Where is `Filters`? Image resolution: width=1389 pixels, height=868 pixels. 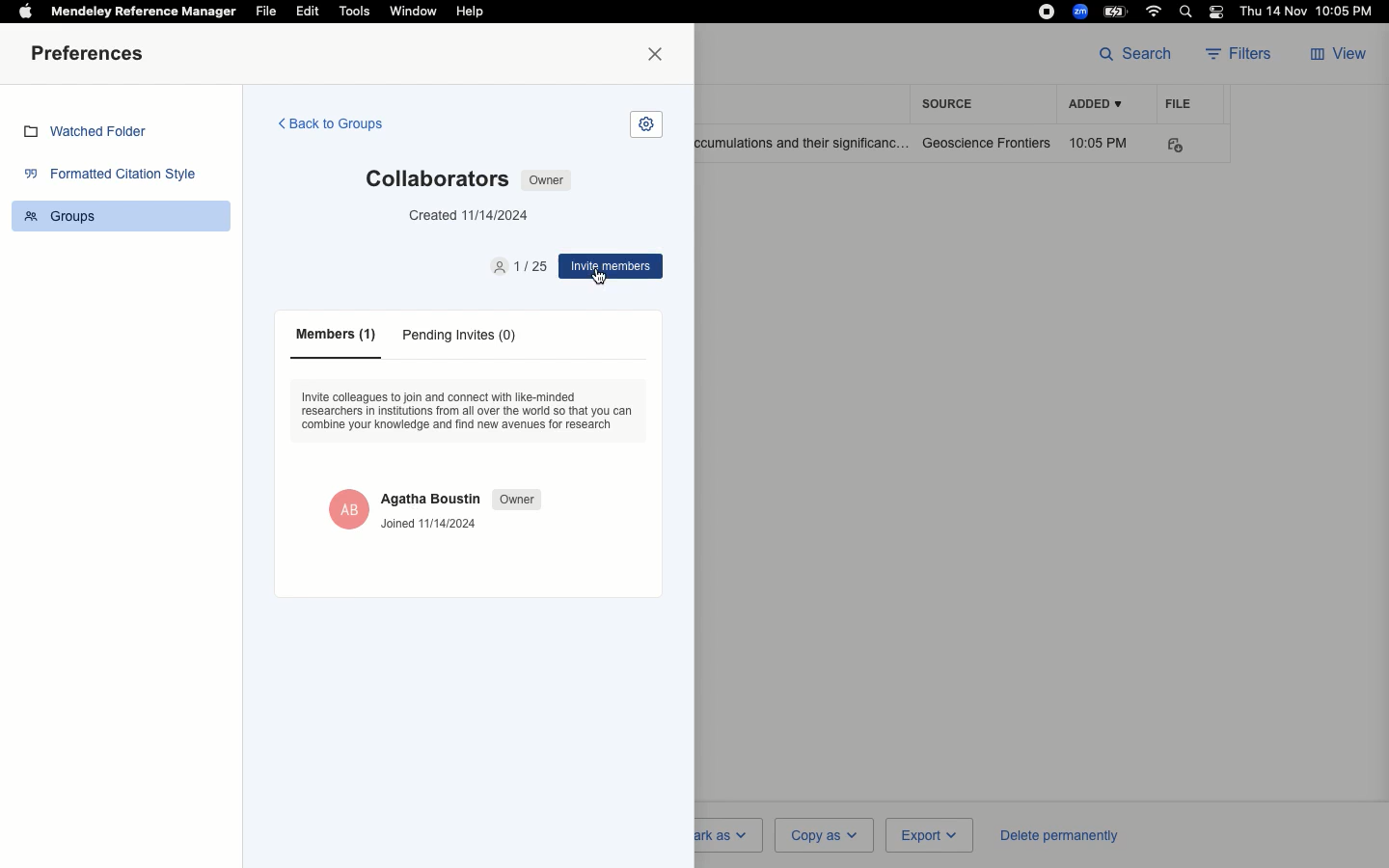 Filters is located at coordinates (1244, 55).